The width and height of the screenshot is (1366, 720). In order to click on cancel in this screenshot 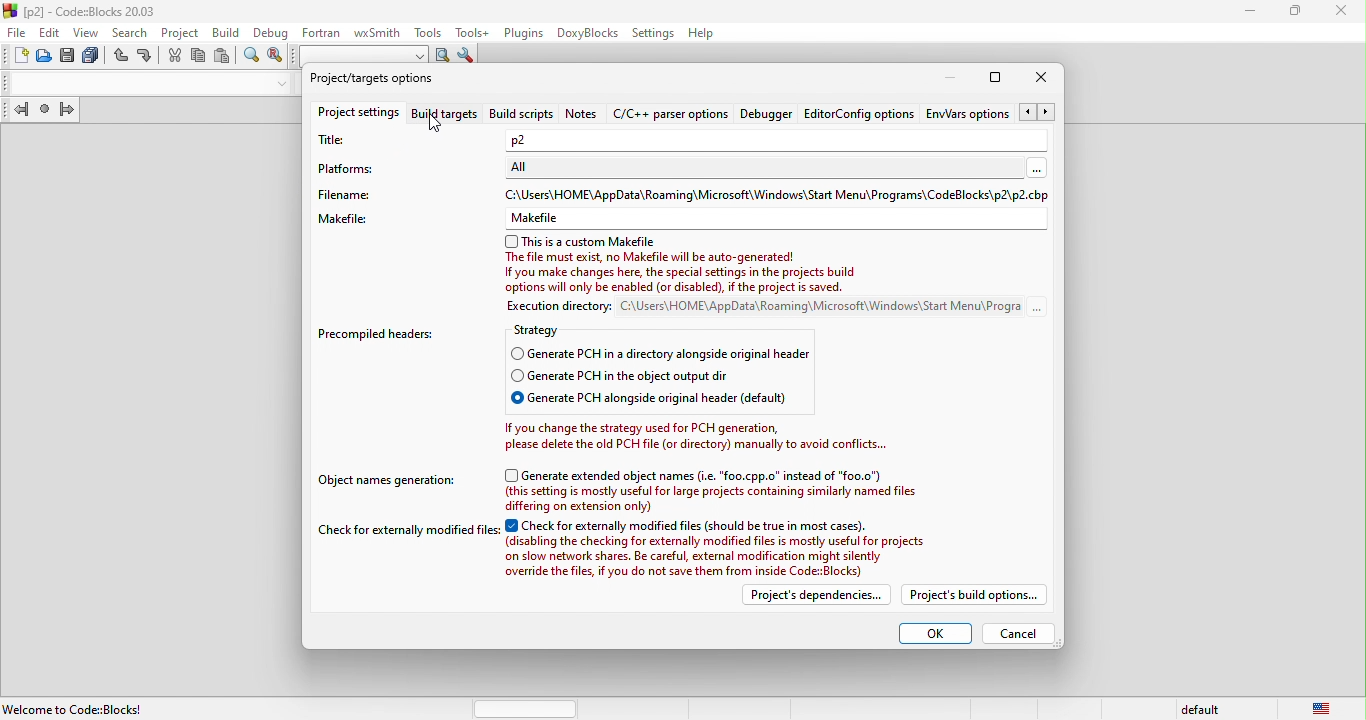, I will do `click(1019, 633)`.